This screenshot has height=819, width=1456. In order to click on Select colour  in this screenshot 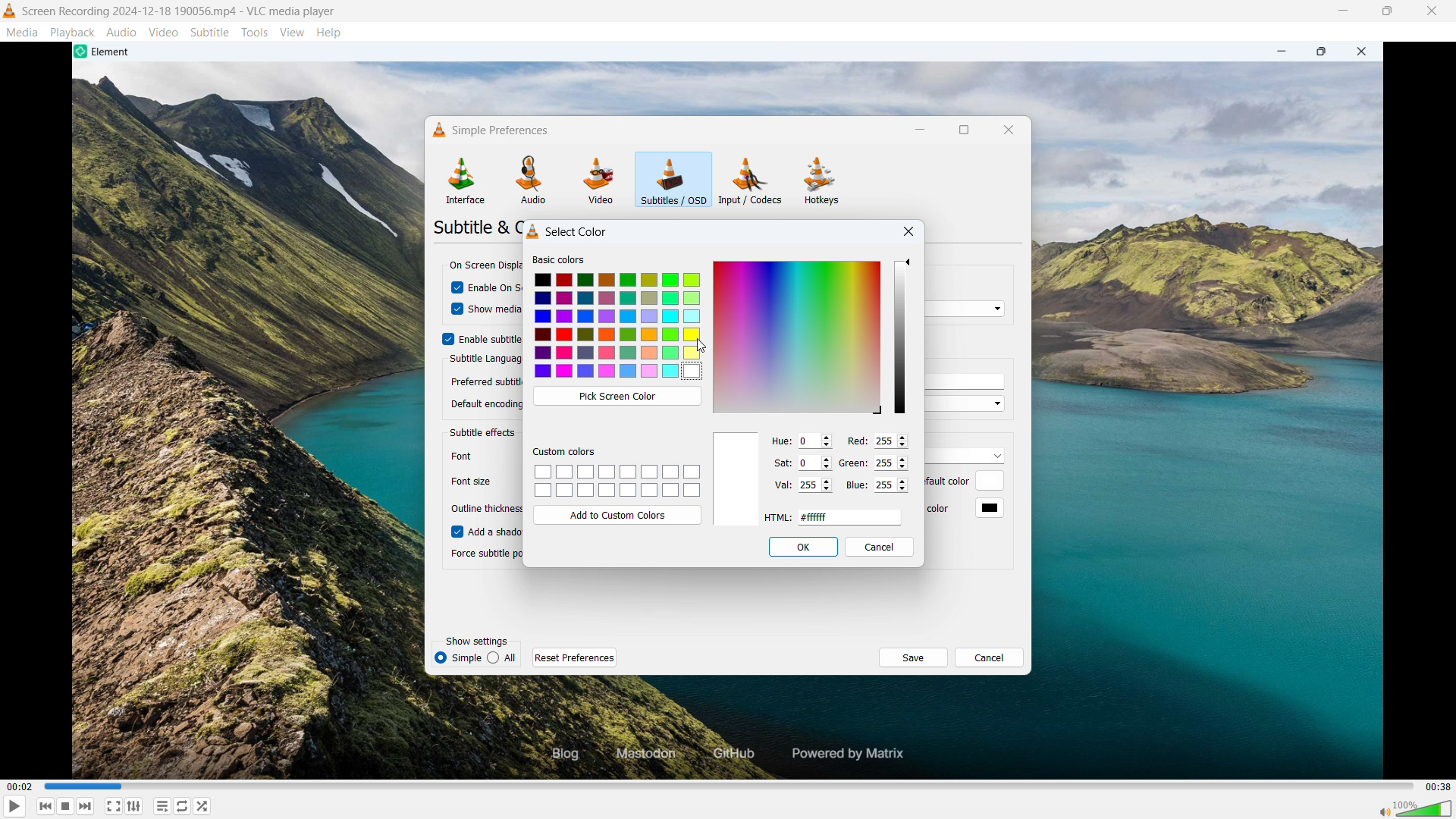, I will do `click(568, 230)`.